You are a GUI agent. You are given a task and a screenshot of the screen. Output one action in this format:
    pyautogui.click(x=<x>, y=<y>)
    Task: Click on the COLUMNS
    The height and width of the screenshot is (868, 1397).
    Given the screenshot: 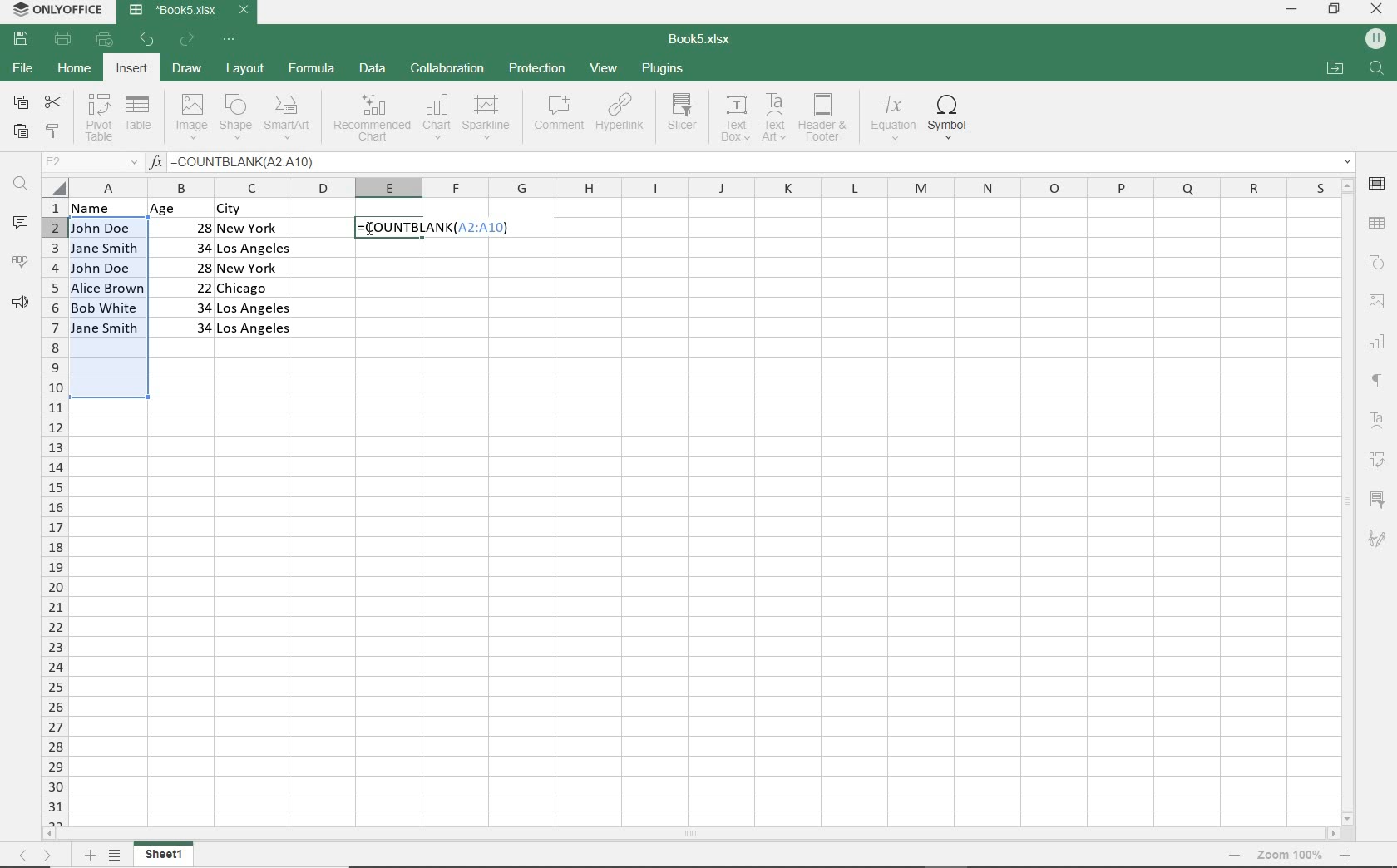 What is the action you would take?
    pyautogui.click(x=700, y=185)
    